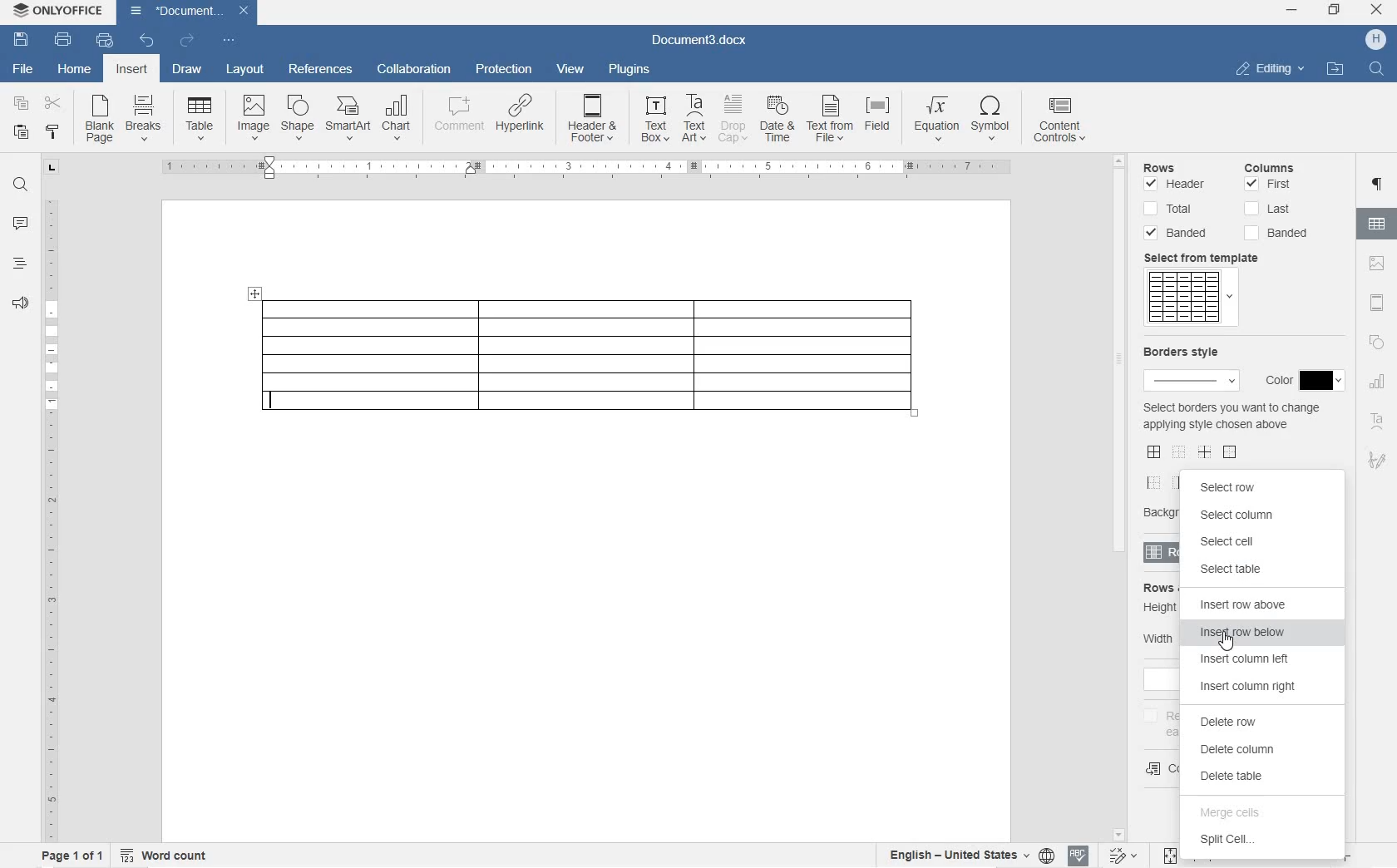 The width and height of the screenshot is (1397, 868). I want to click on PAGE 1 OF 1, so click(72, 856).